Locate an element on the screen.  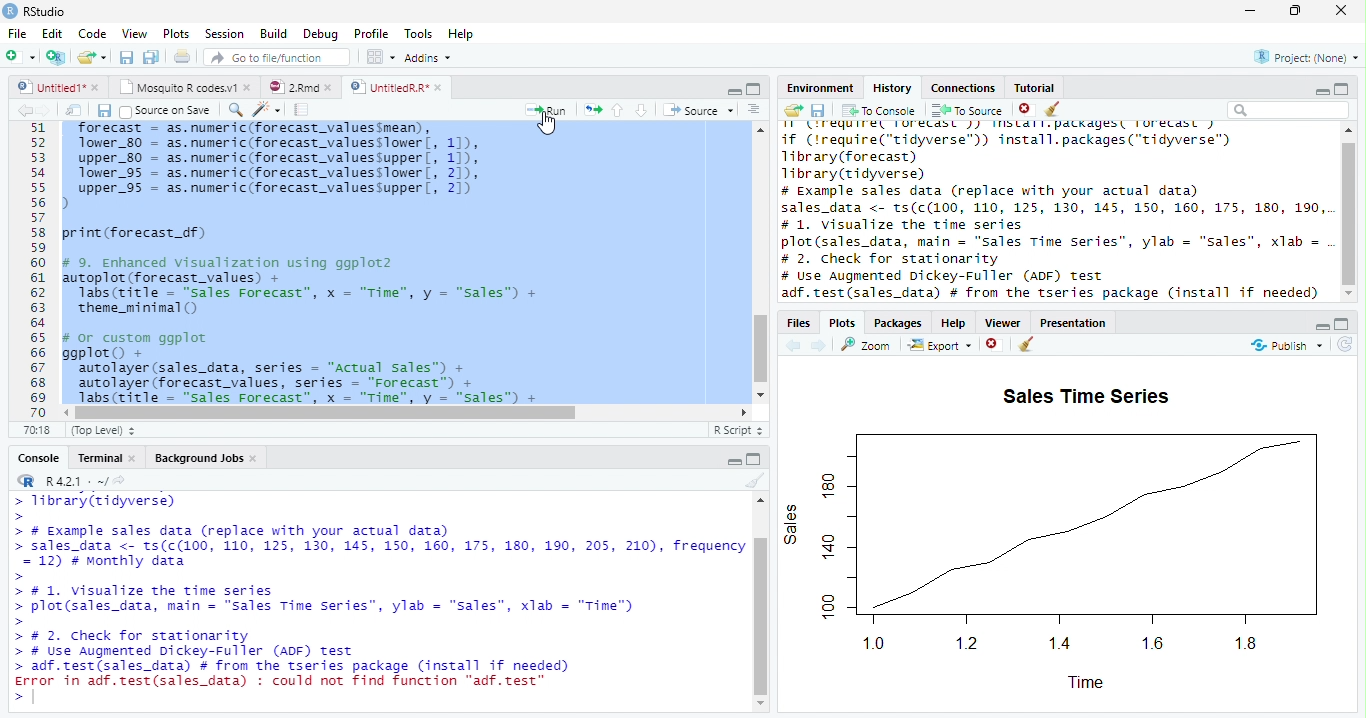
View is located at coordinates (133, 34).